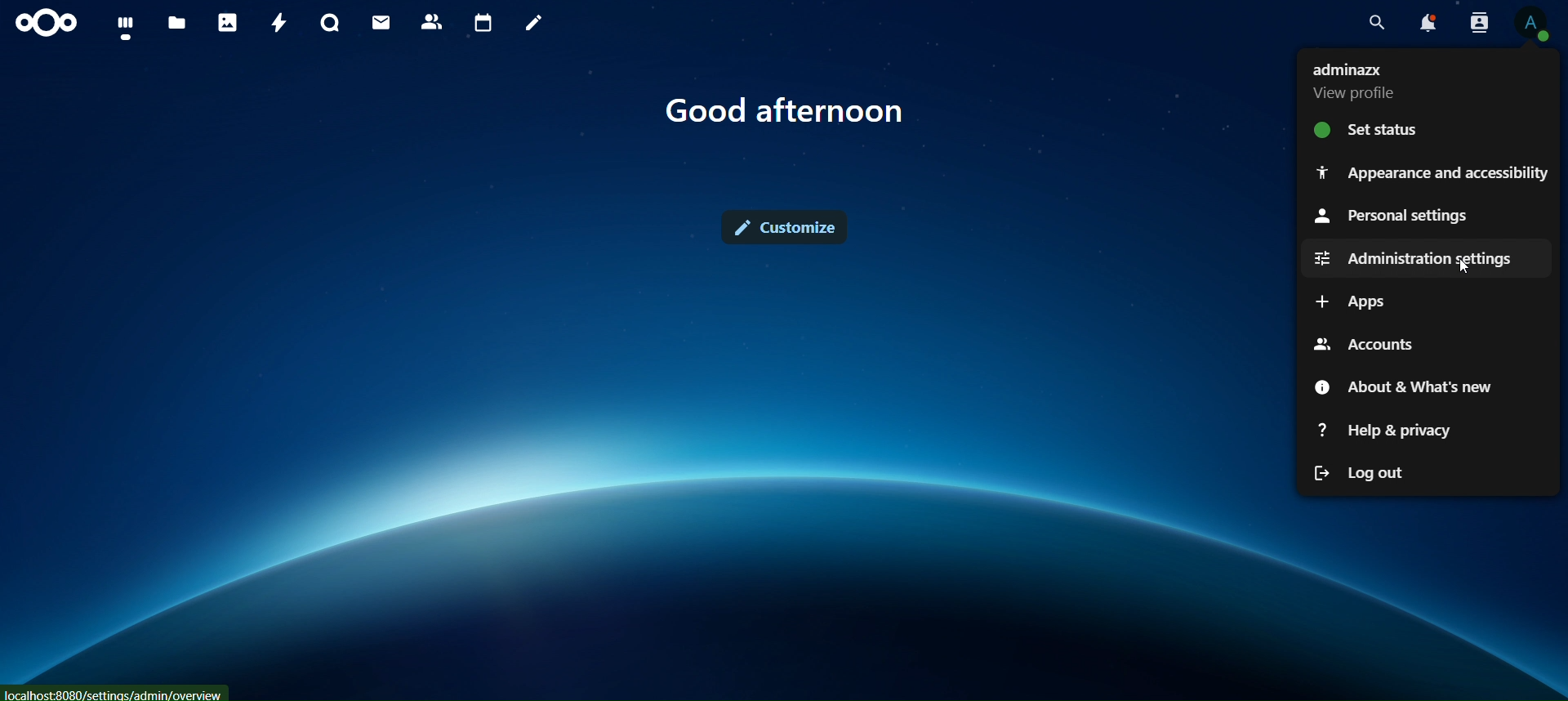 Image resolution: width=1568 pixels, height=701 pixels. I want to click on localhost:8080/settings/admins/overview, so click(118, 691).